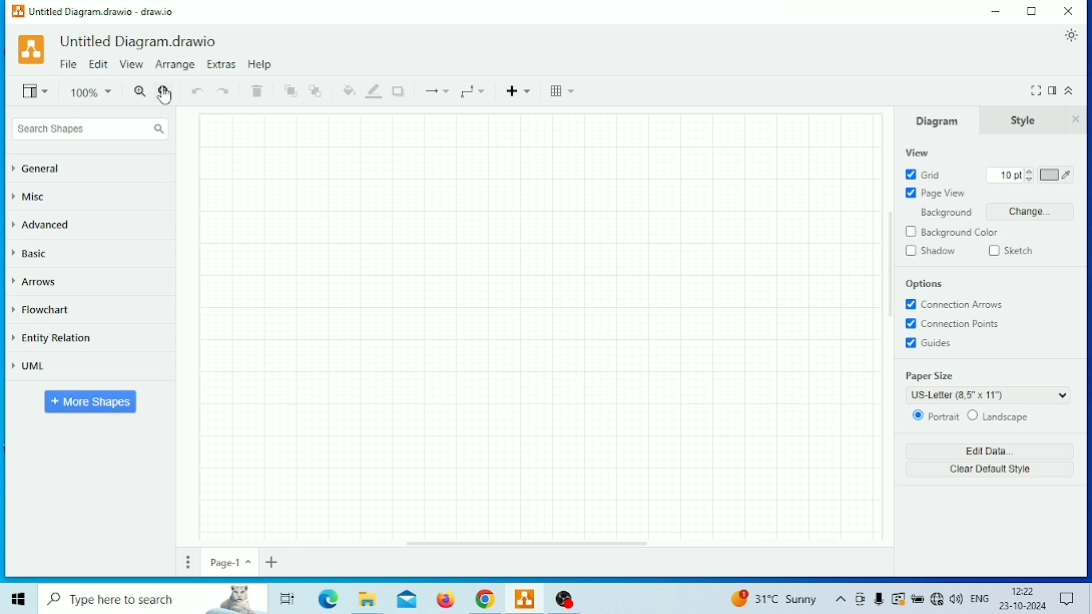  Describe the element at coordinates (1021, 120) in the screenshot. I see `Style` at that location.